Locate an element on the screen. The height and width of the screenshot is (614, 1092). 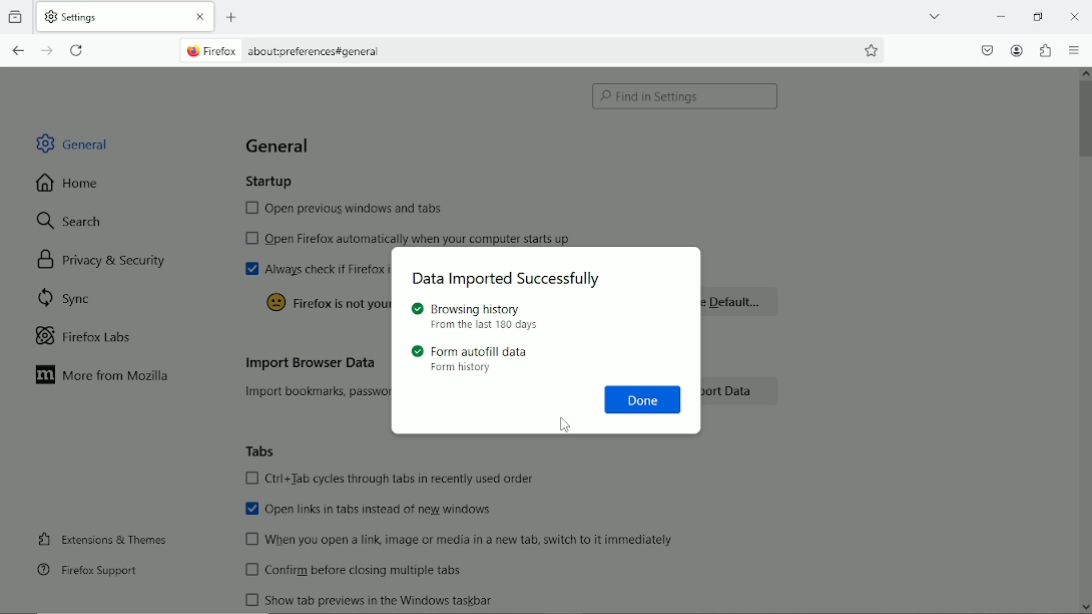
New tab is located at coordinates (232, 18).